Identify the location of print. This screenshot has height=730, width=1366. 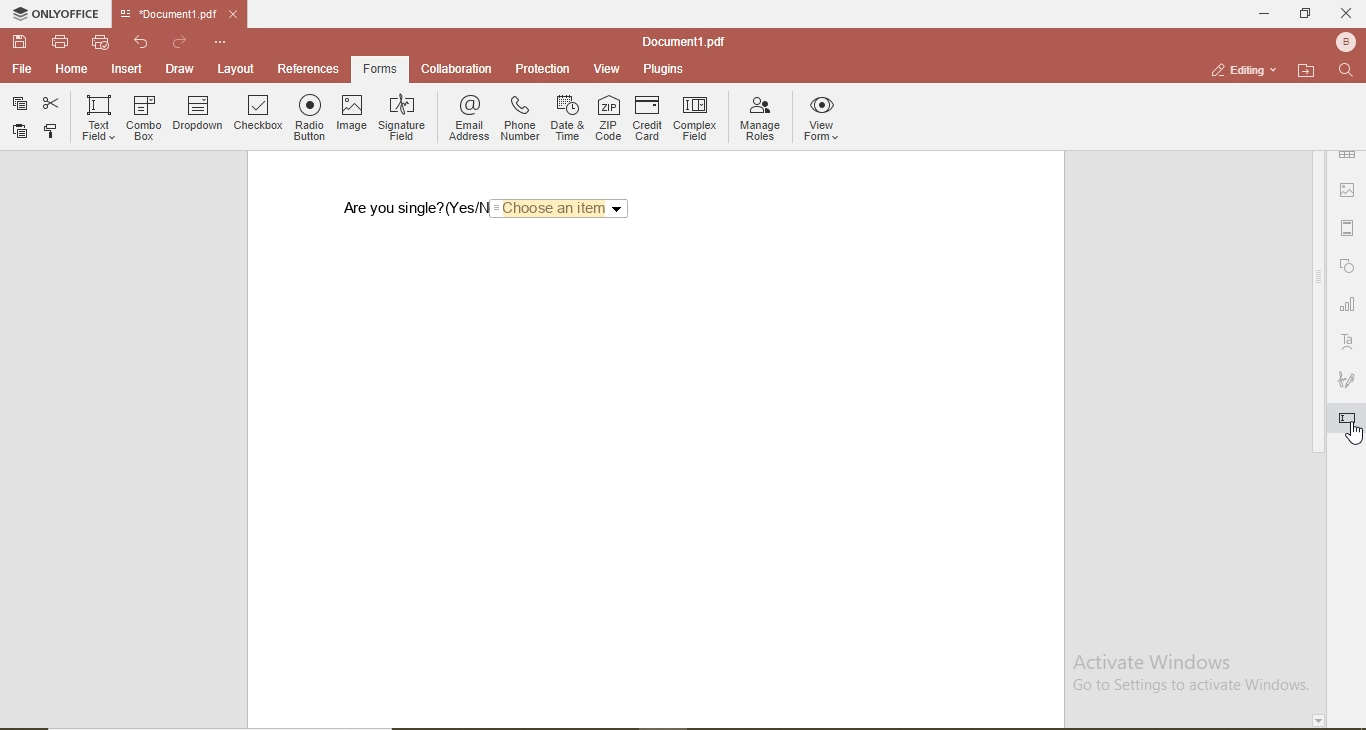
(62, 43).